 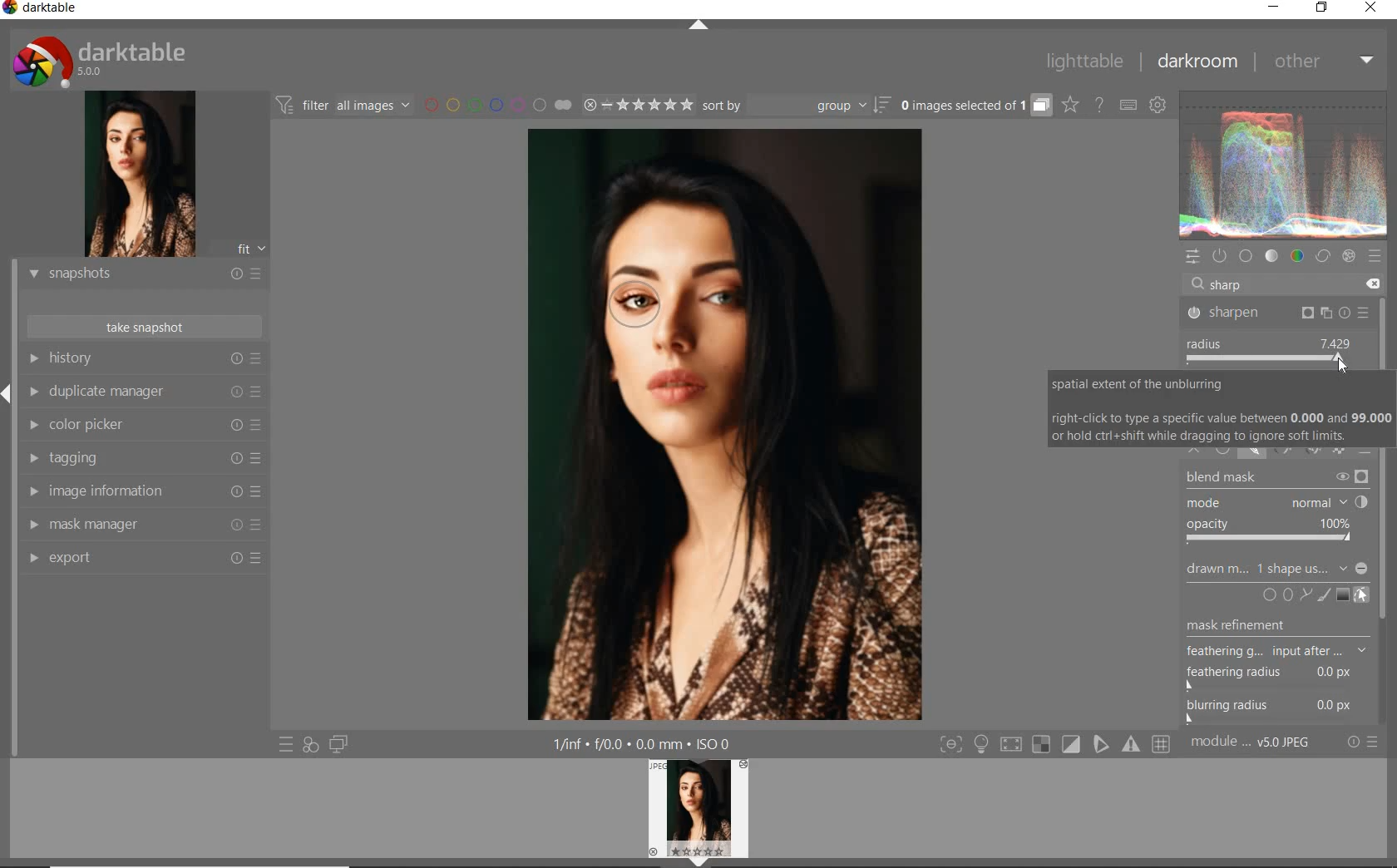 What do you see at coordinates (623, 106) in the screenshot?
I see `range ratings for selected images` at bounding box center [623, 106].